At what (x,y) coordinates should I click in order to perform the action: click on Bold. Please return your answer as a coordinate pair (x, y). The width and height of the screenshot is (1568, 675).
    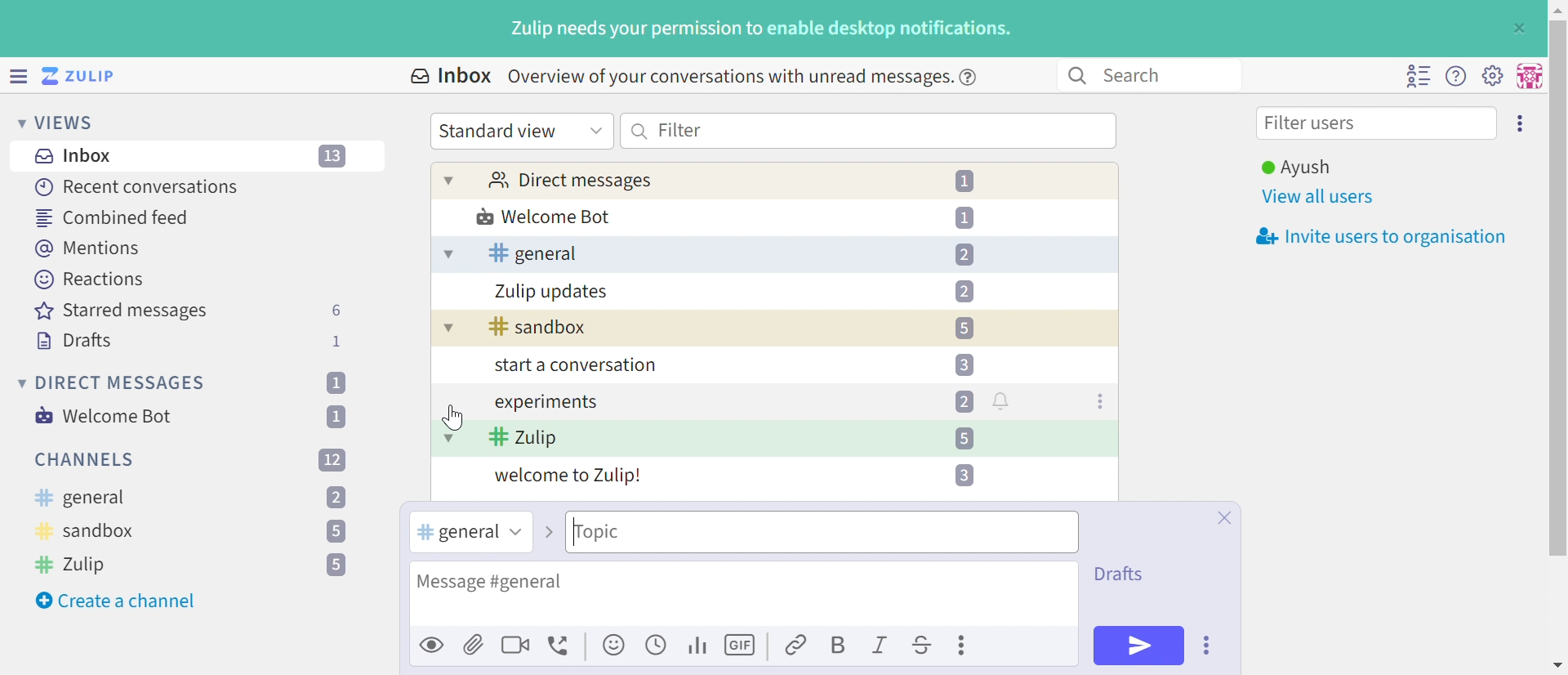
    Looking at the image, I should click on (837, 646).